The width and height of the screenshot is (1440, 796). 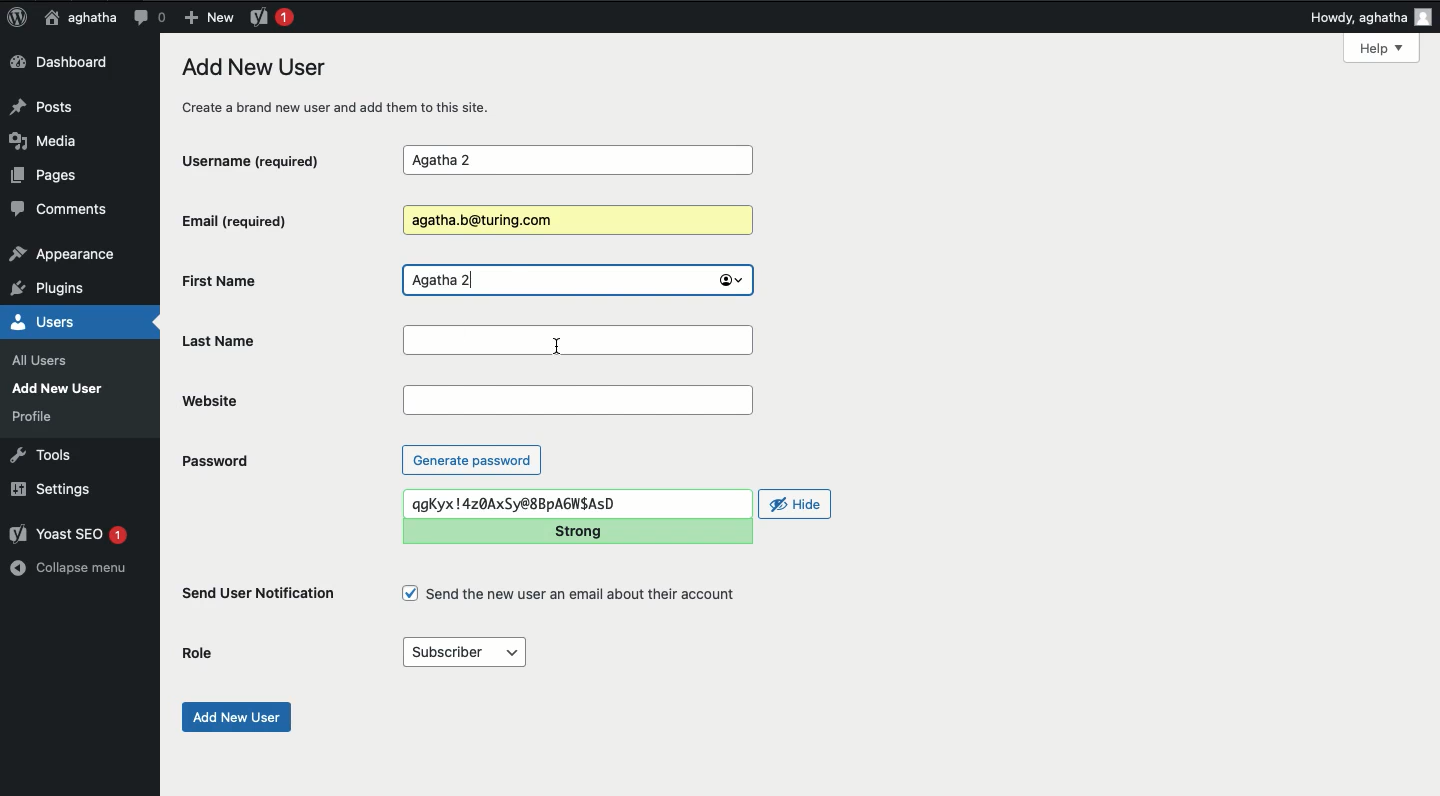 I want to click on Last name, so click(x=581, y=340).